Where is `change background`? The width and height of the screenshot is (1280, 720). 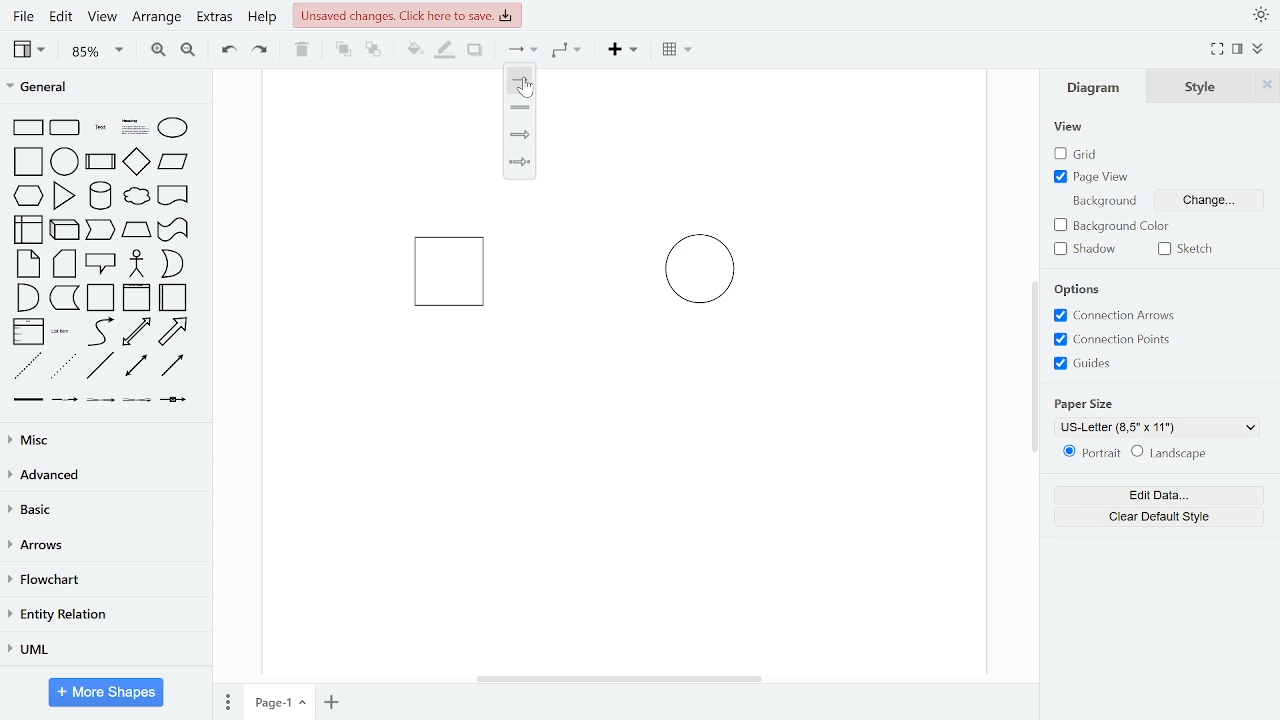 change background is located at coordinates (1206, 203).